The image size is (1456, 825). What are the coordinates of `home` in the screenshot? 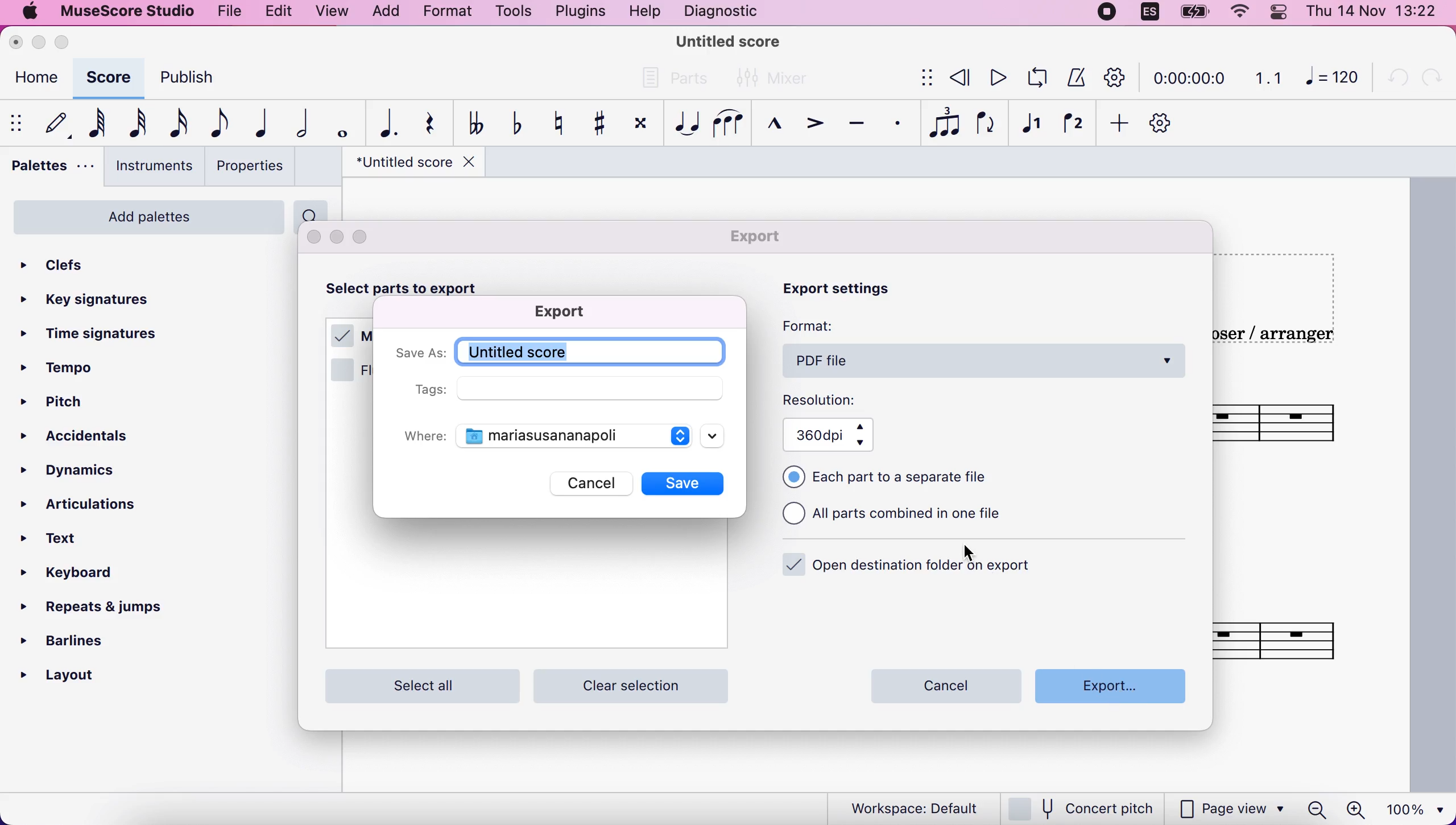 It's located at (36, 77).